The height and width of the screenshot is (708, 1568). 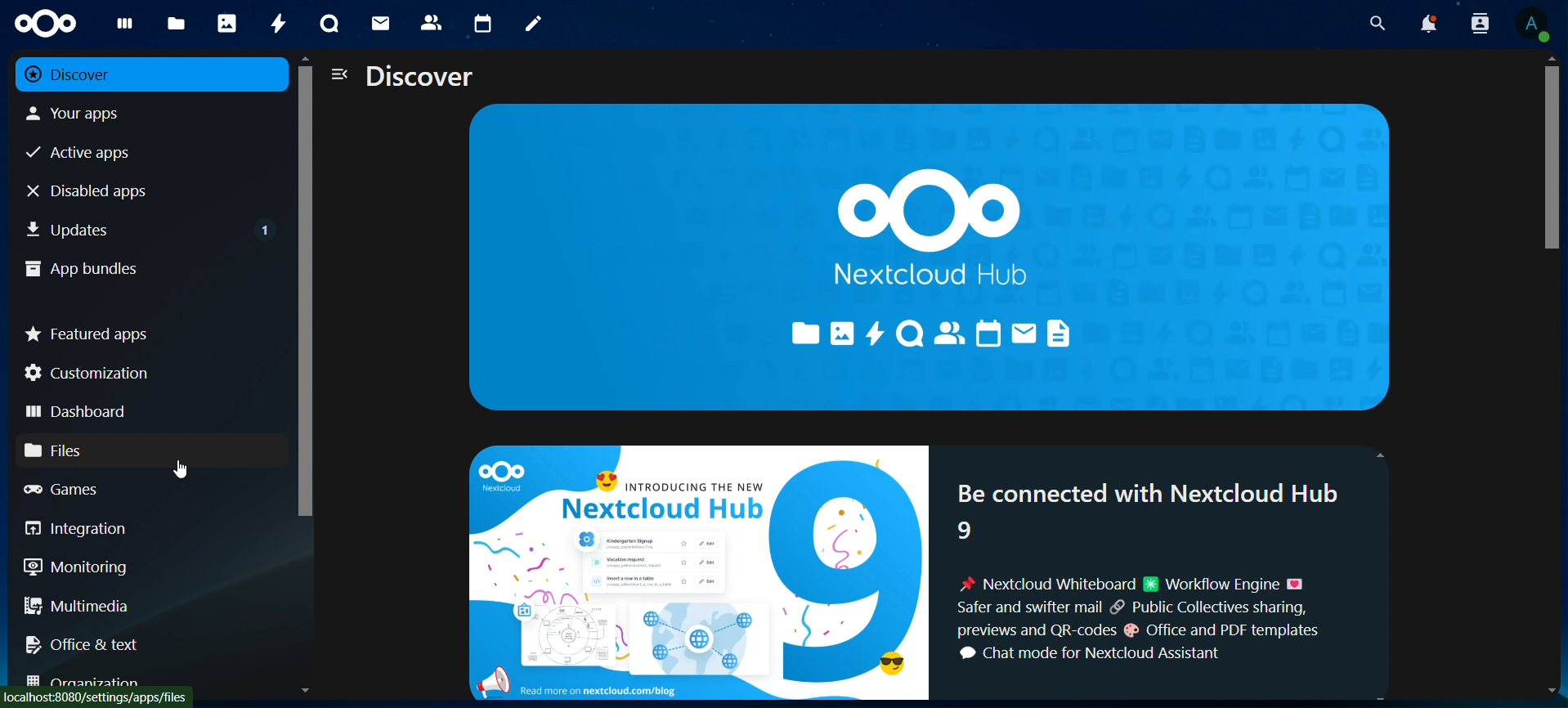 What do you see at coordinates (88, 528) in the screenshot?
I see `integration` at bounding box center [88, 528].